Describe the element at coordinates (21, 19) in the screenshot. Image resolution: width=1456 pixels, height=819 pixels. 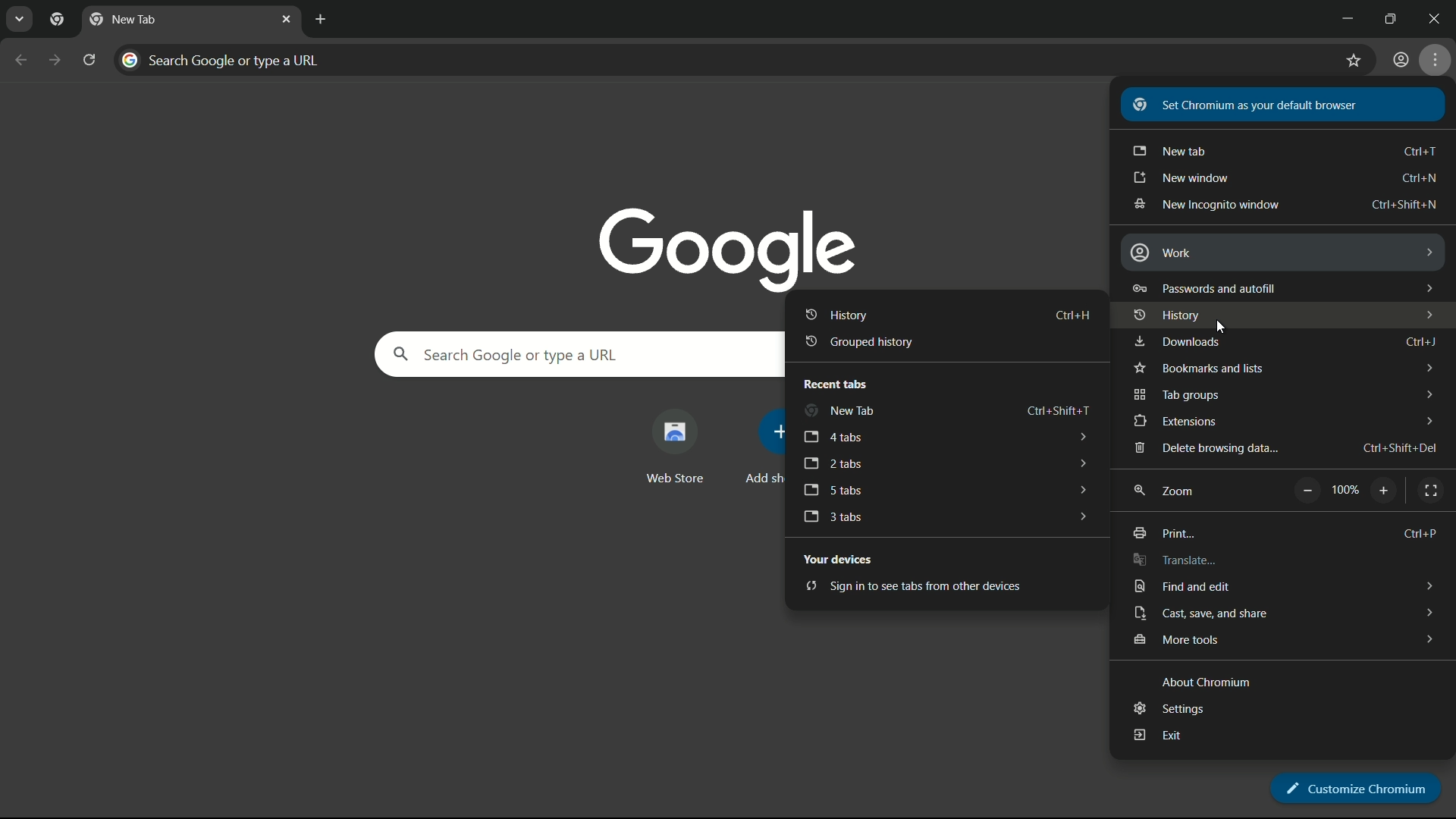
I see `search tabs` at that location.